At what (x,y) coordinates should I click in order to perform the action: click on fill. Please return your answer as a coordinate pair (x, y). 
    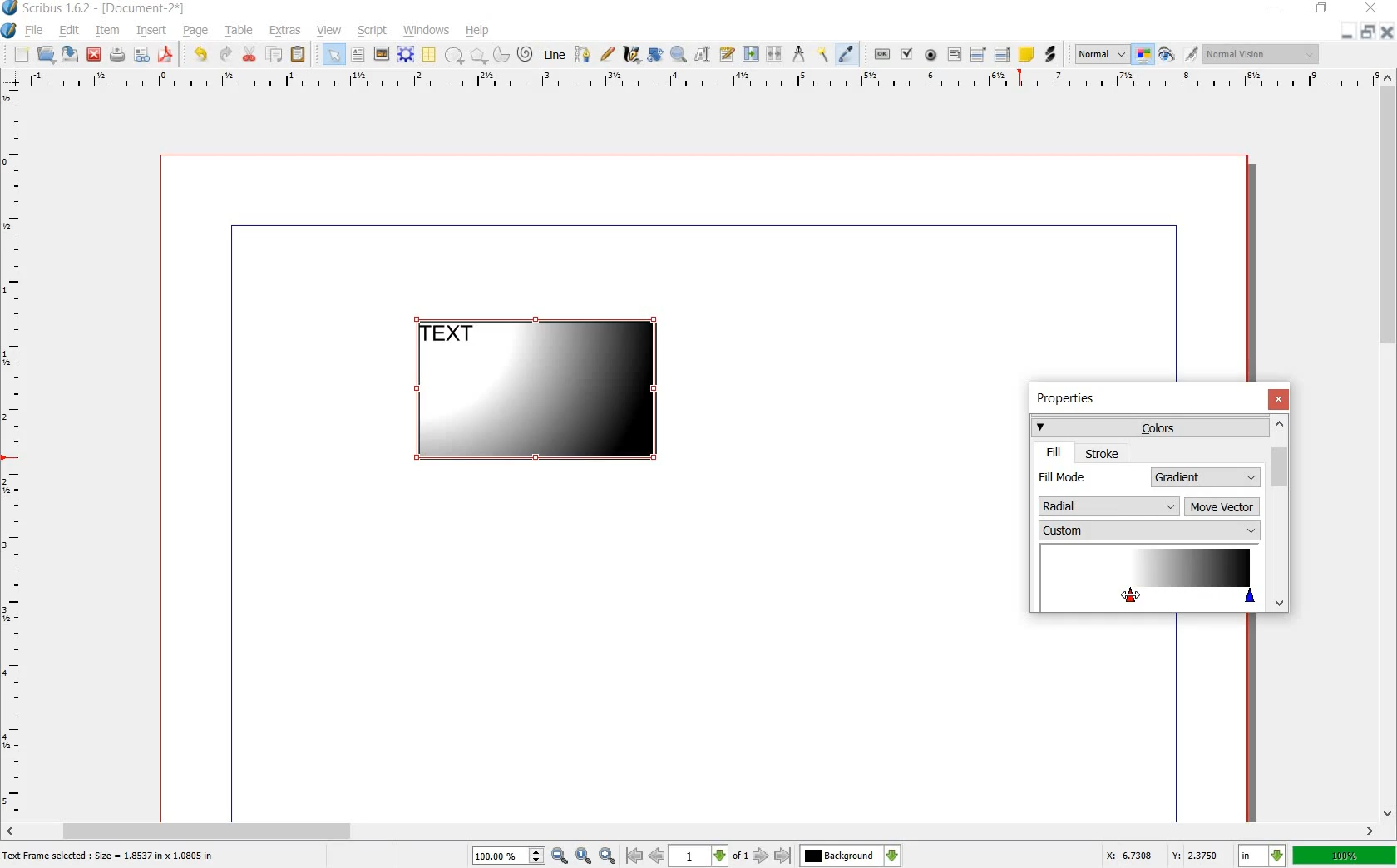
    Looking at the image, I should click on (1054, 452).